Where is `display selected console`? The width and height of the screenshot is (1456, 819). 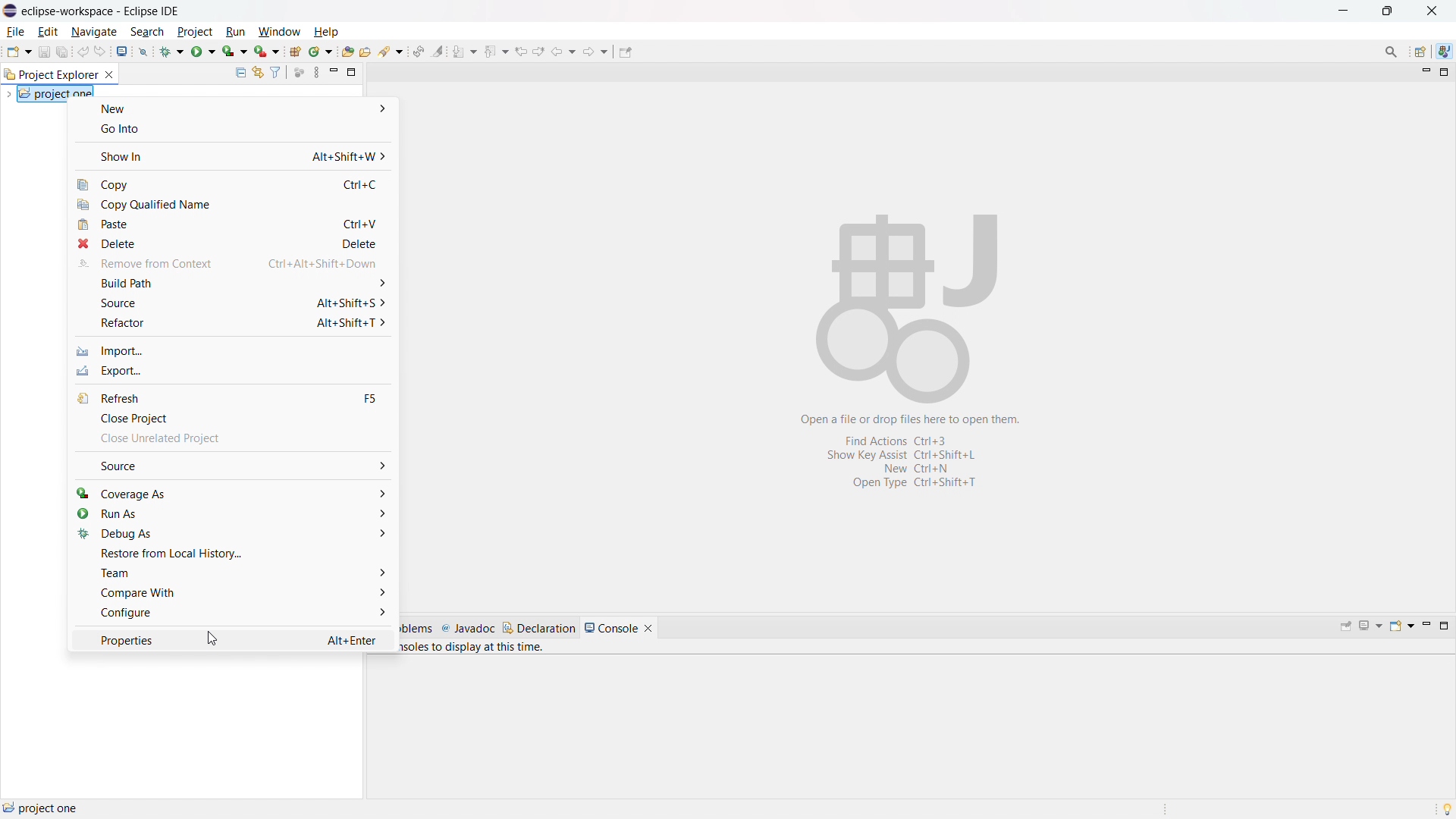
display selected console is located at coordinates (1372, 626).